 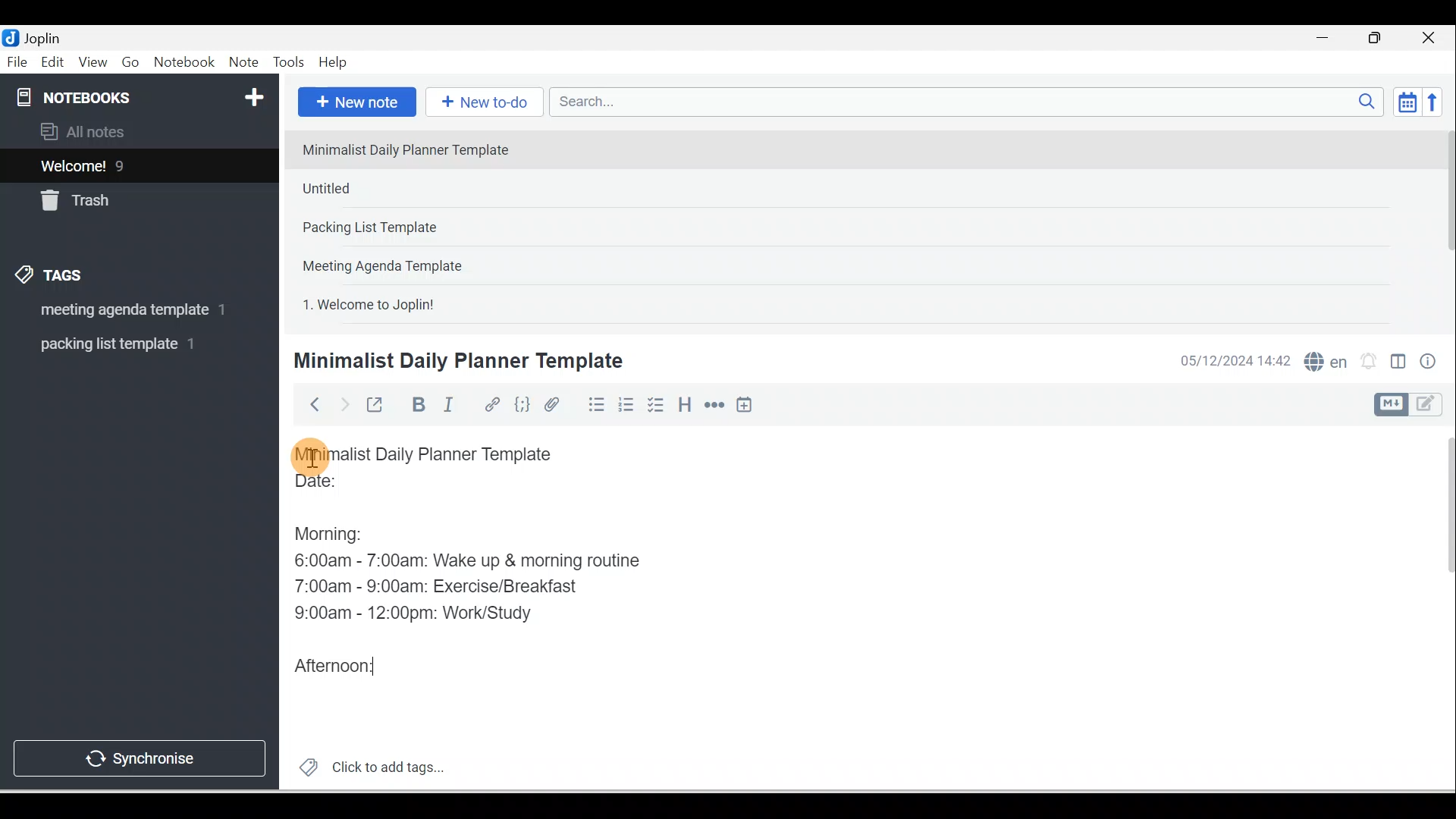 What do you see at coordinates (418, 228) in the screenshot?
I see `Note 3` at bounding box center [418, 228].